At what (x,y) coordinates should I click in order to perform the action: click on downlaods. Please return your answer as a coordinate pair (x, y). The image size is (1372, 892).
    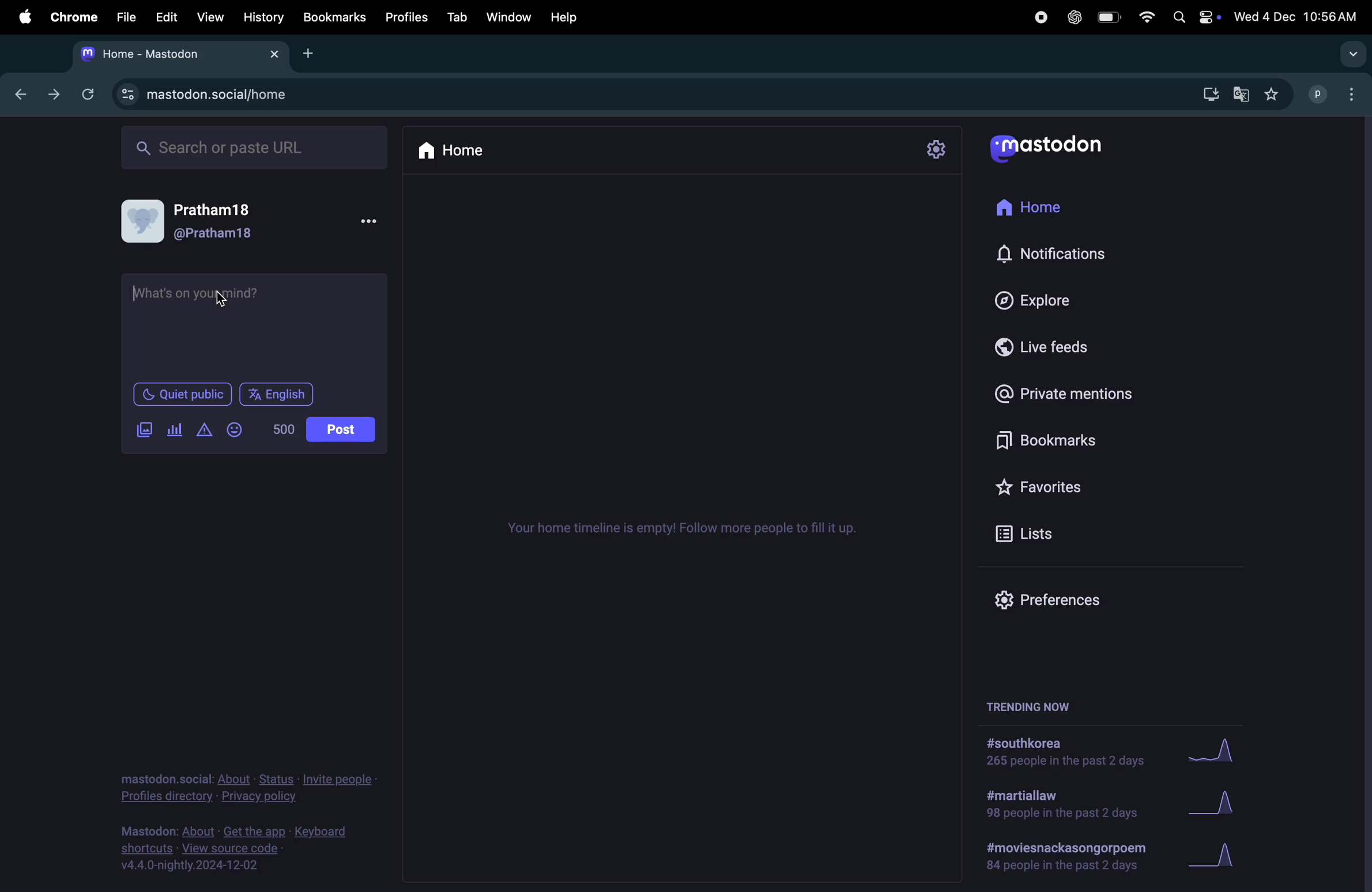
    Looking at the image, I should click on (1206, 92).